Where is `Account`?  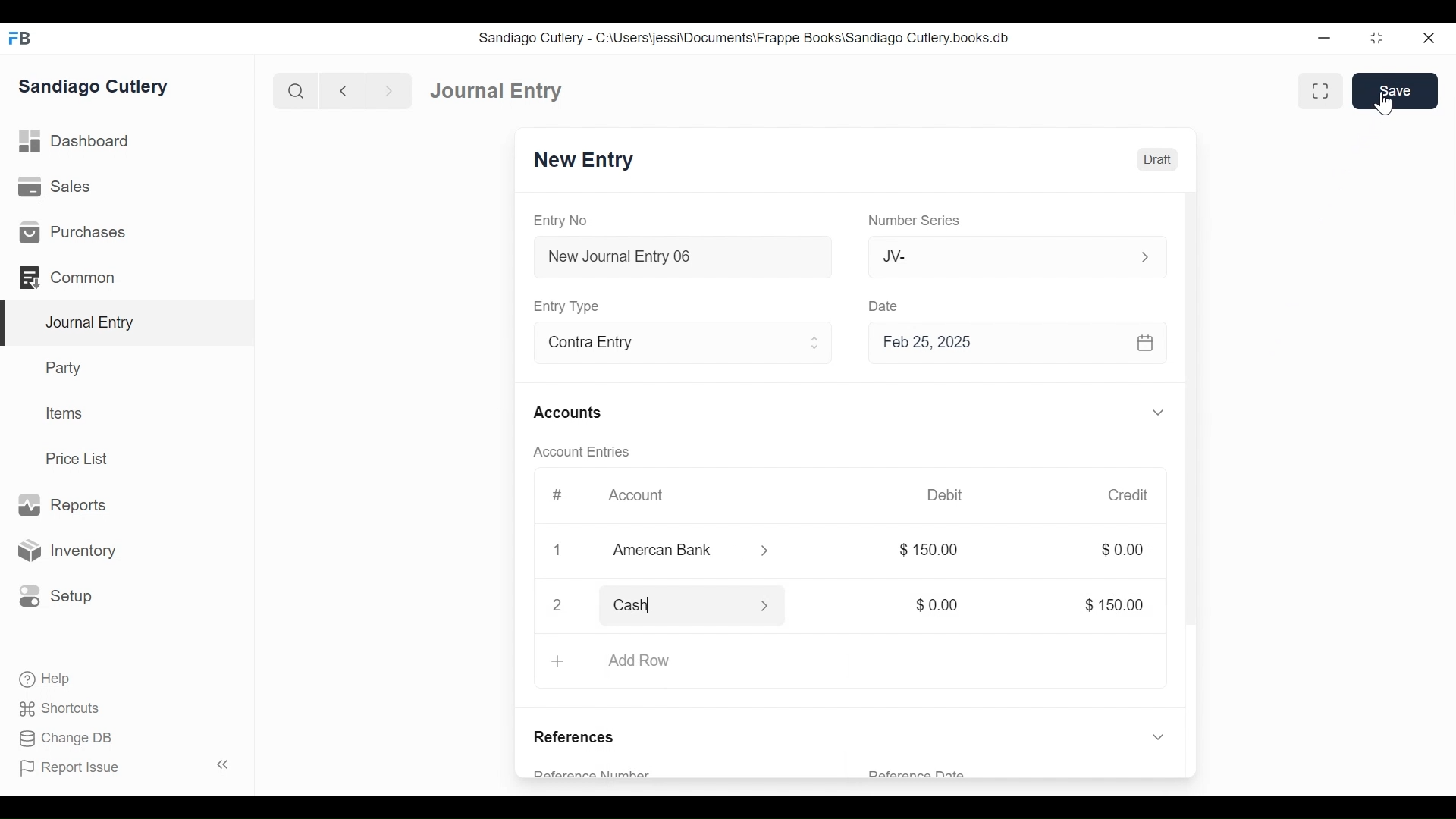 Account is located at coordinates (646, 500).